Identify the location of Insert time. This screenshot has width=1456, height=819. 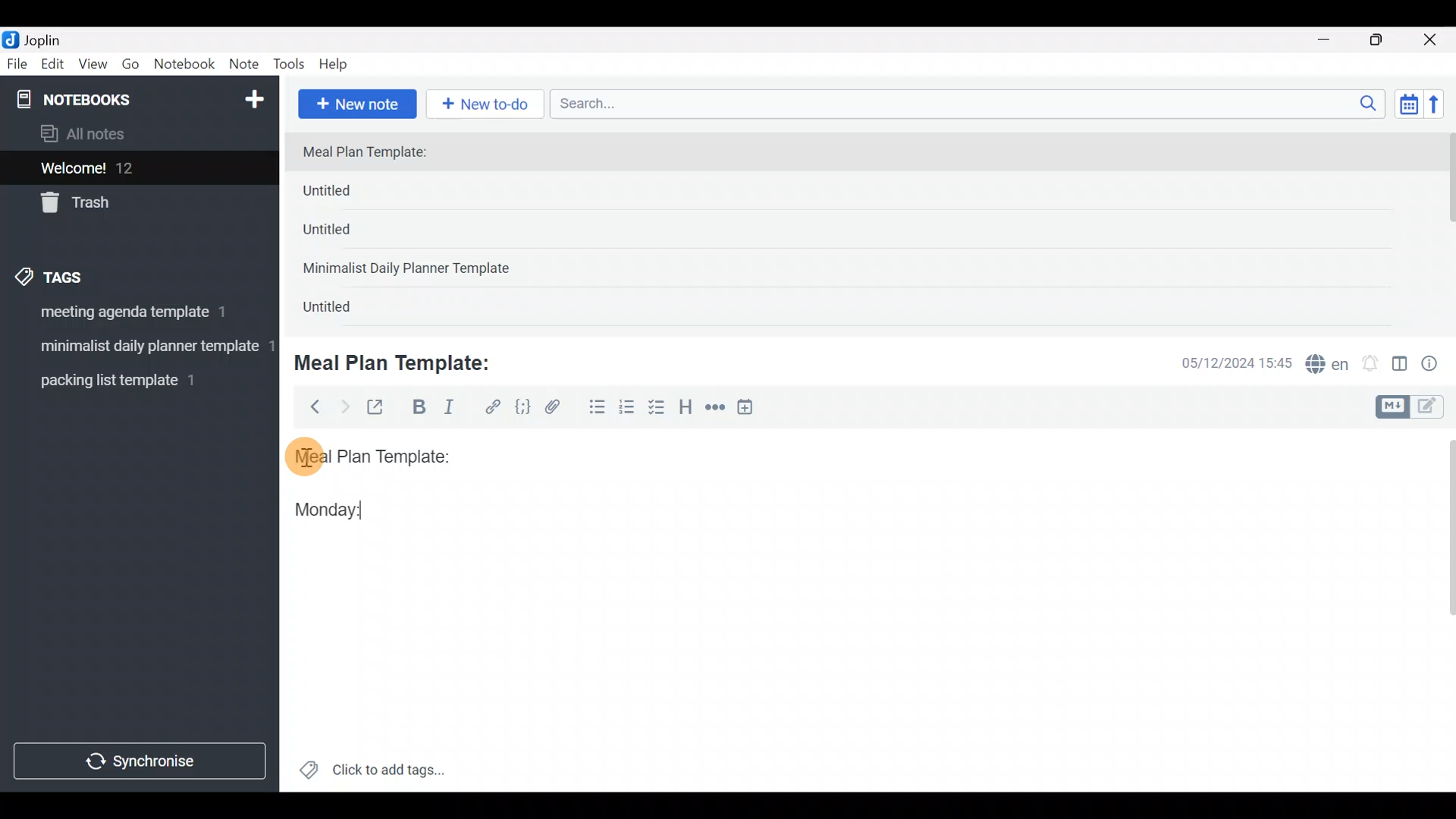
(752, 409).